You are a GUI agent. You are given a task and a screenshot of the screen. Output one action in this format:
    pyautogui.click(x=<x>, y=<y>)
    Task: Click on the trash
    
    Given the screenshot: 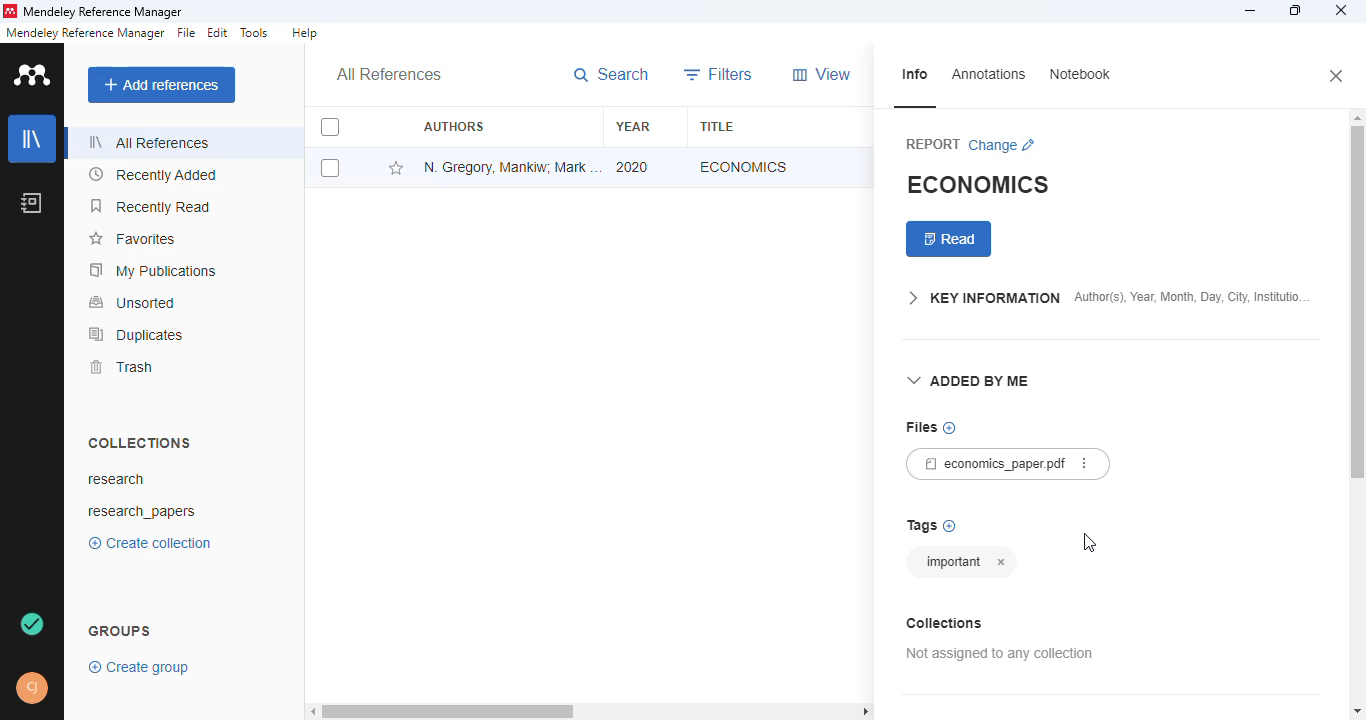 What is the action you would take?
    pyautogui.click(x=120, y=368)
    